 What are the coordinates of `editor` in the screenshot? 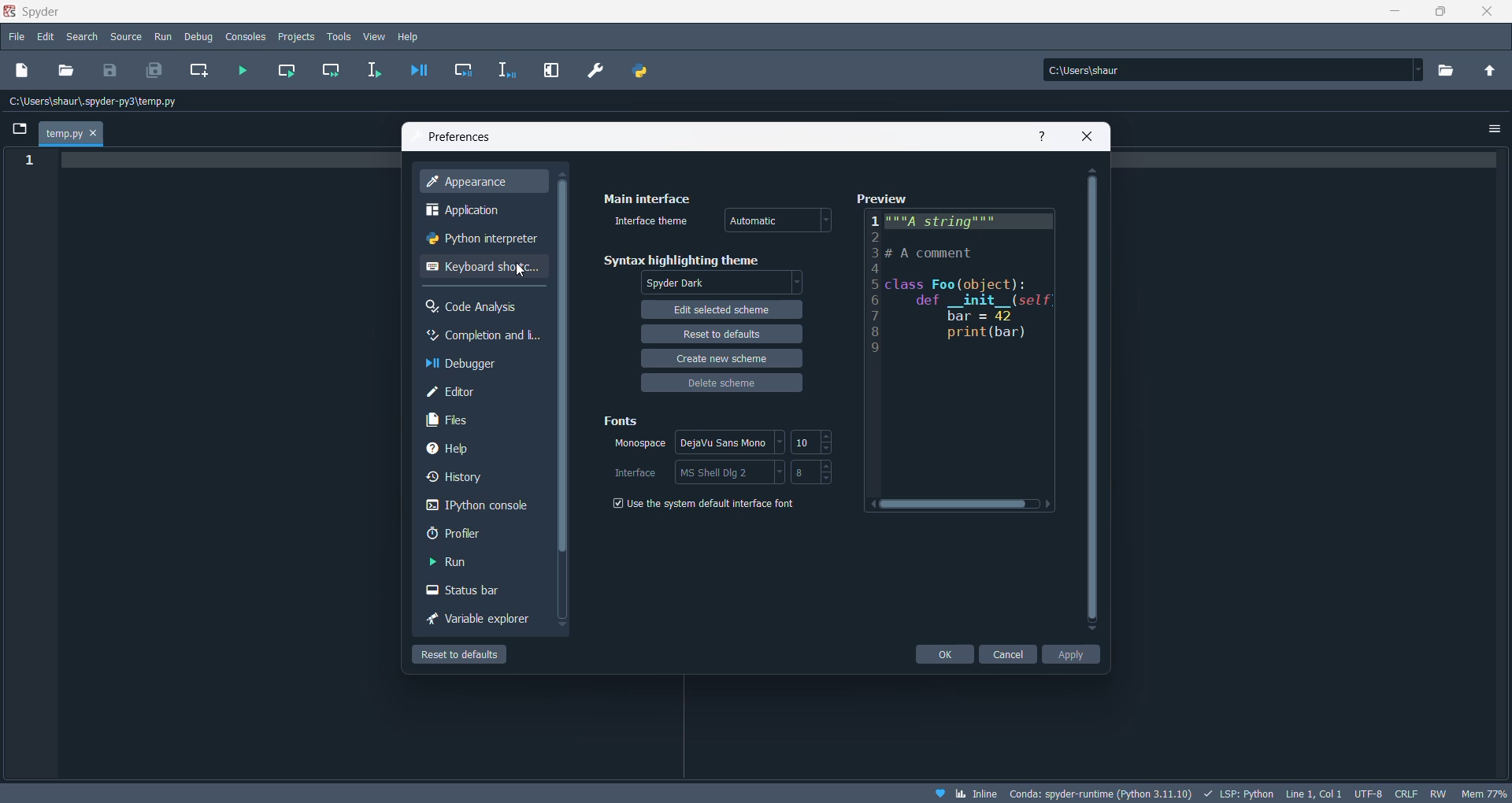 It's located at (479, 394).